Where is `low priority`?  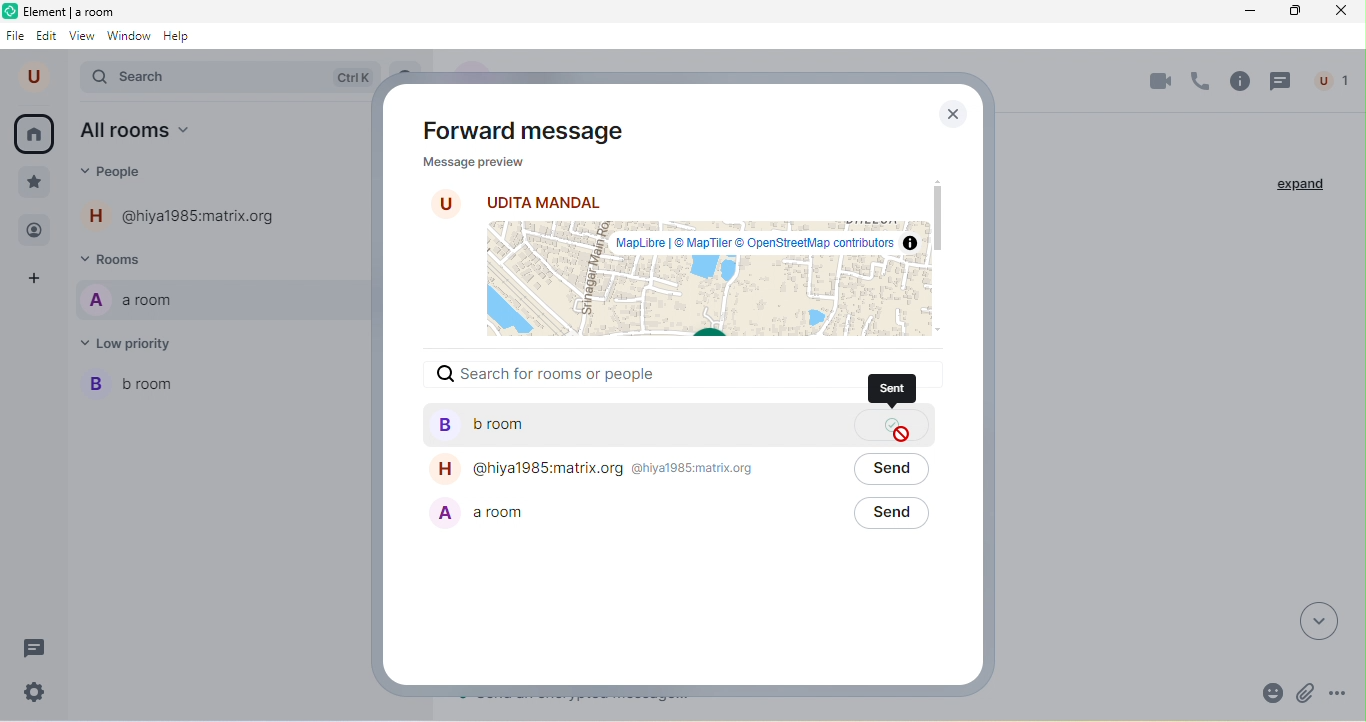
low priority is located at coordinates (131, 342).